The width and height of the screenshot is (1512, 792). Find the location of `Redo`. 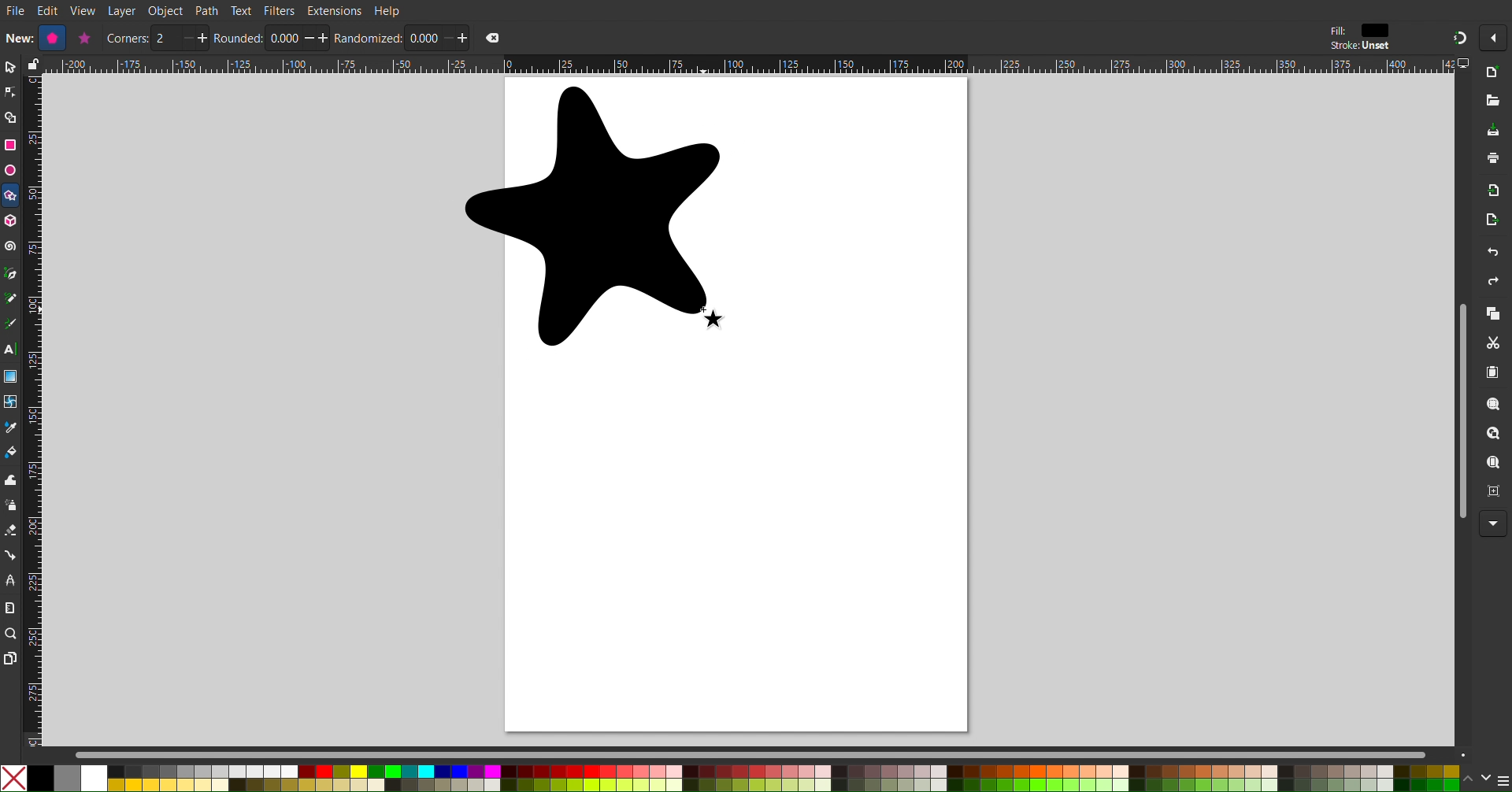

Redo is located at coordinates (1491, 283).